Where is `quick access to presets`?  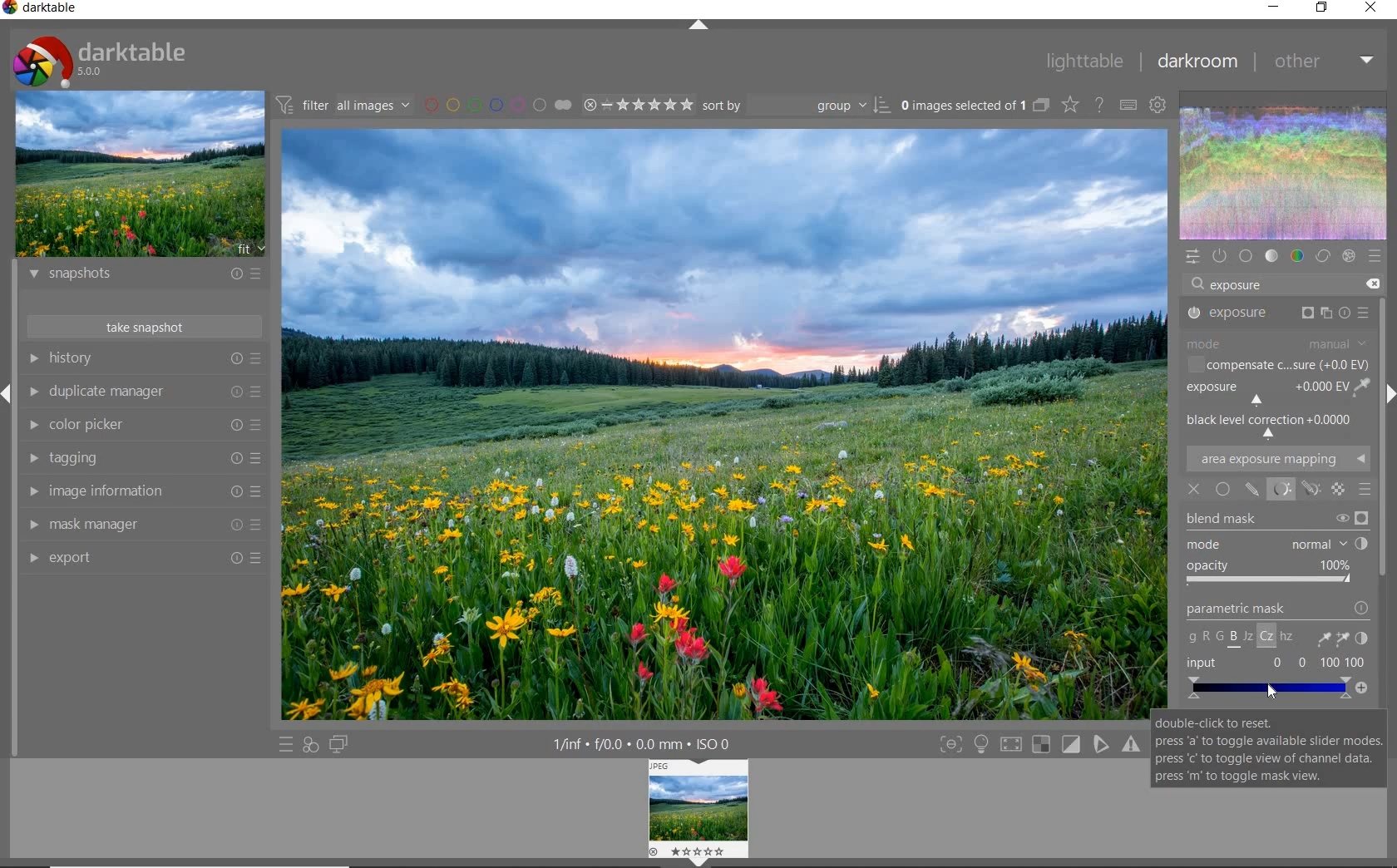 quick access to presets is located at coordinates (285, 745).